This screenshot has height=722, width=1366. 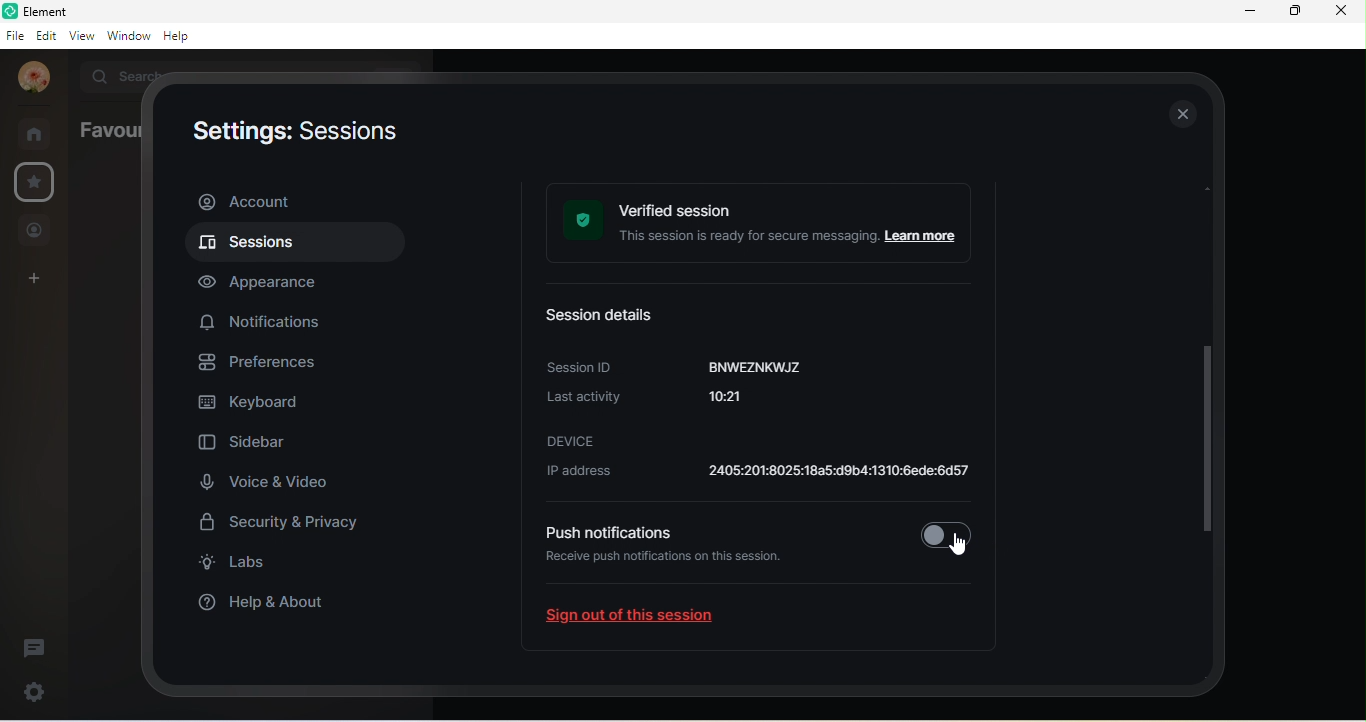 I want to click on close, so click(x=1339, y=11).